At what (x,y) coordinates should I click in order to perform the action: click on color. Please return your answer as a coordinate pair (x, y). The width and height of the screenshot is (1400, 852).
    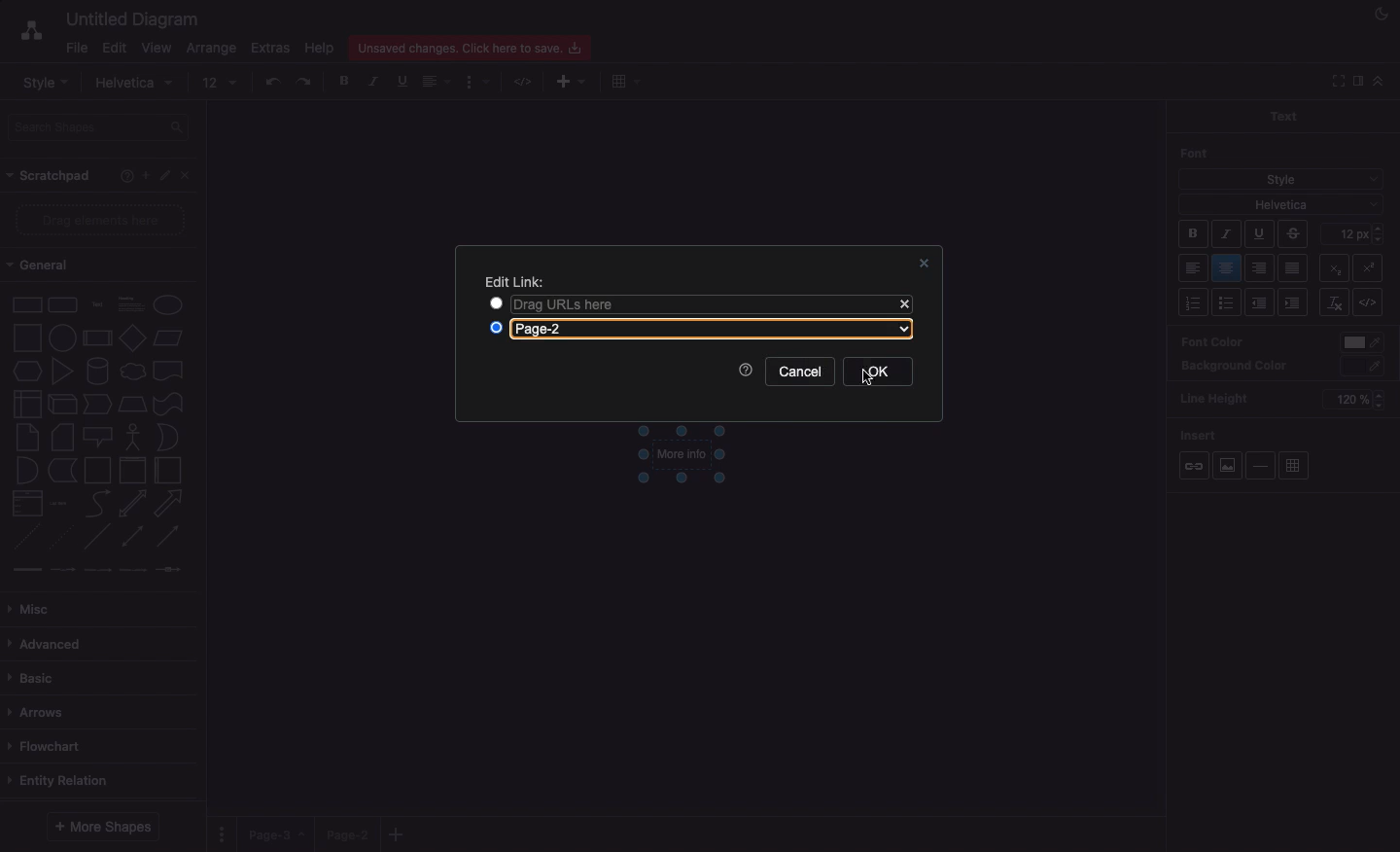
    Looking at the image, I should click on (1363, 343).